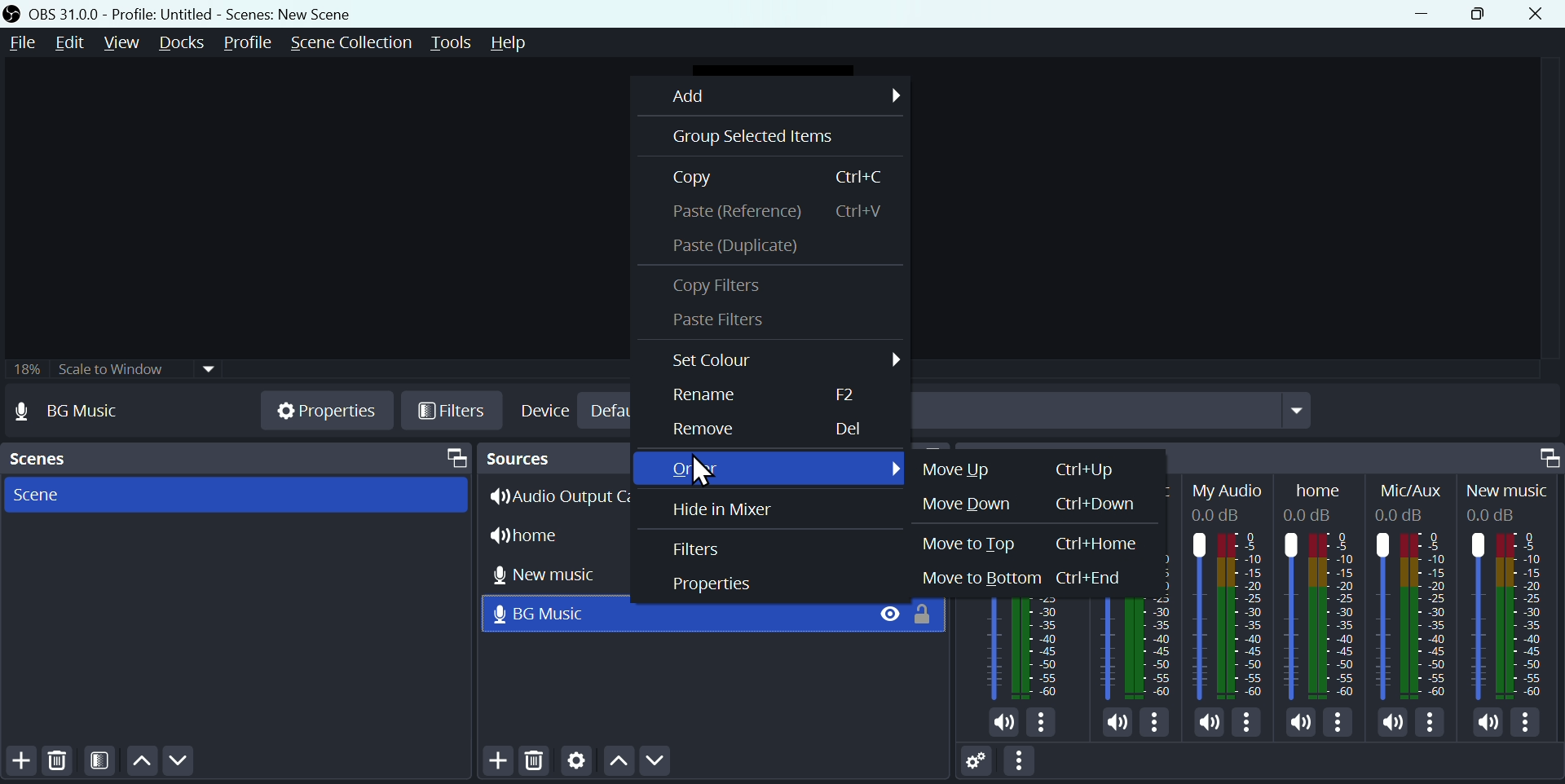 The height and width of the screenshot is (784, 1565). I want to click on Device, so click(546, 409).